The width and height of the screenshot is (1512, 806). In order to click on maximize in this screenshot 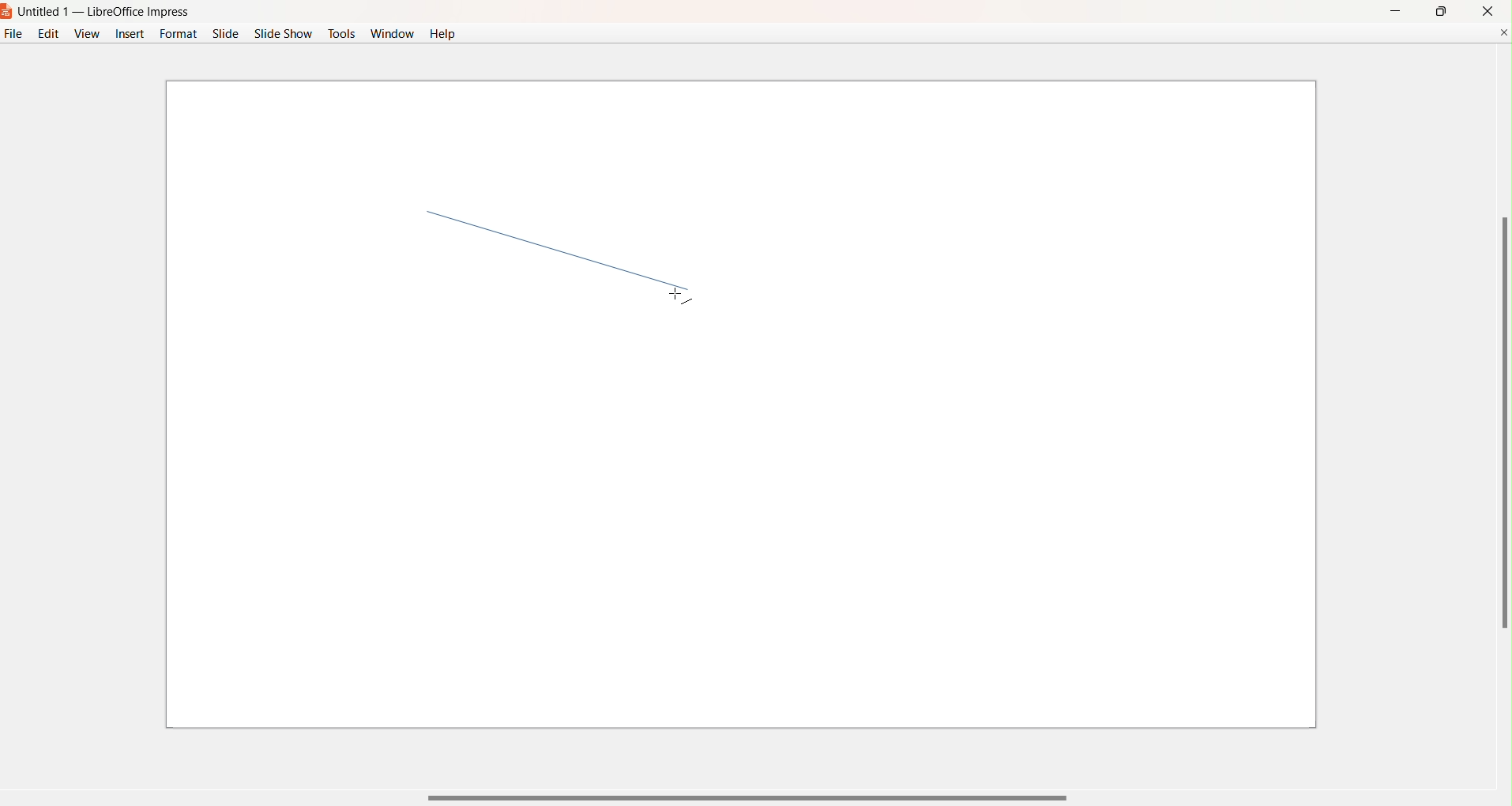, I will do `click(1440, 11)`.